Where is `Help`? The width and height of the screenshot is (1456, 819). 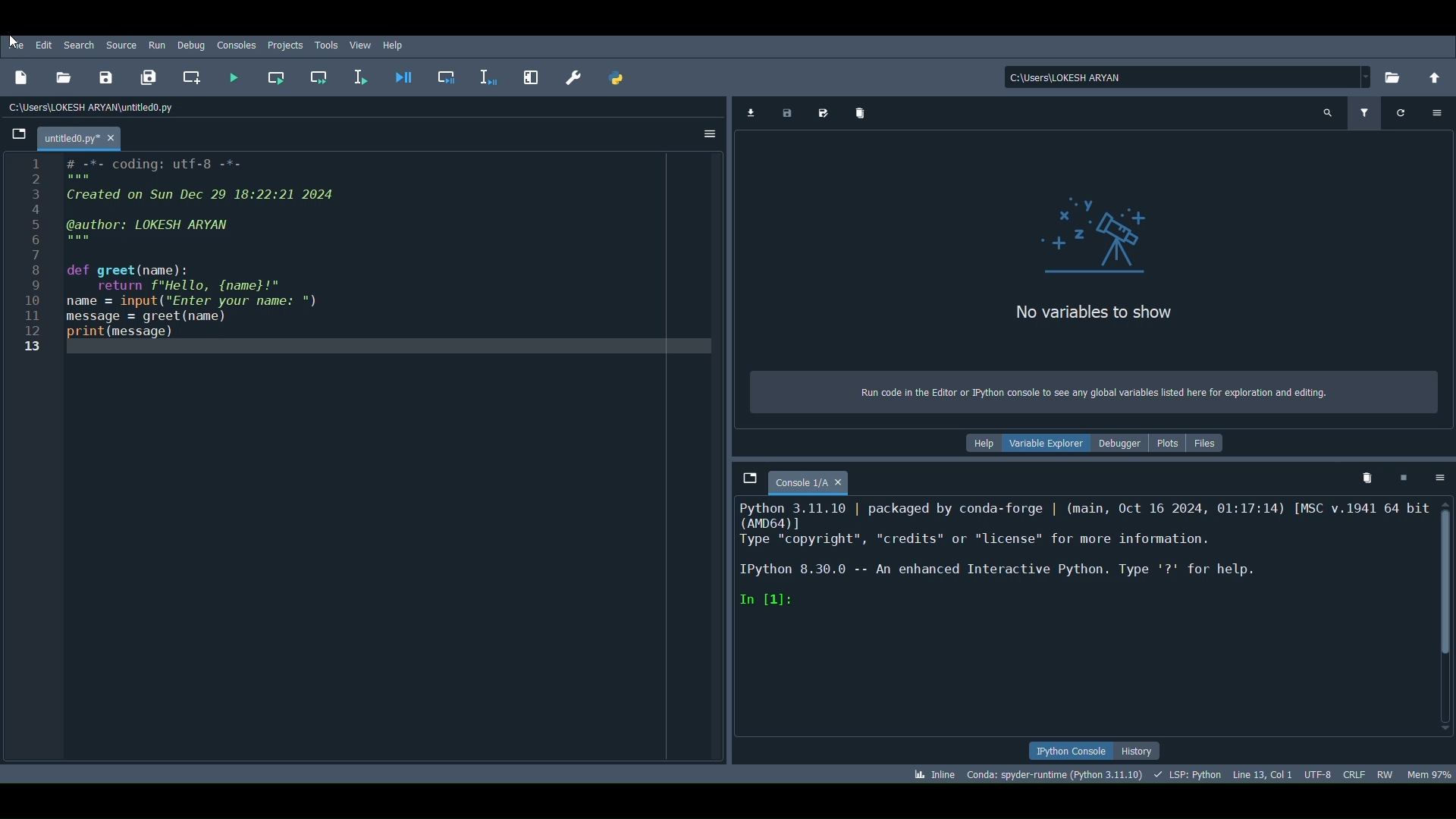 Help is located at coordinates (983, 444).